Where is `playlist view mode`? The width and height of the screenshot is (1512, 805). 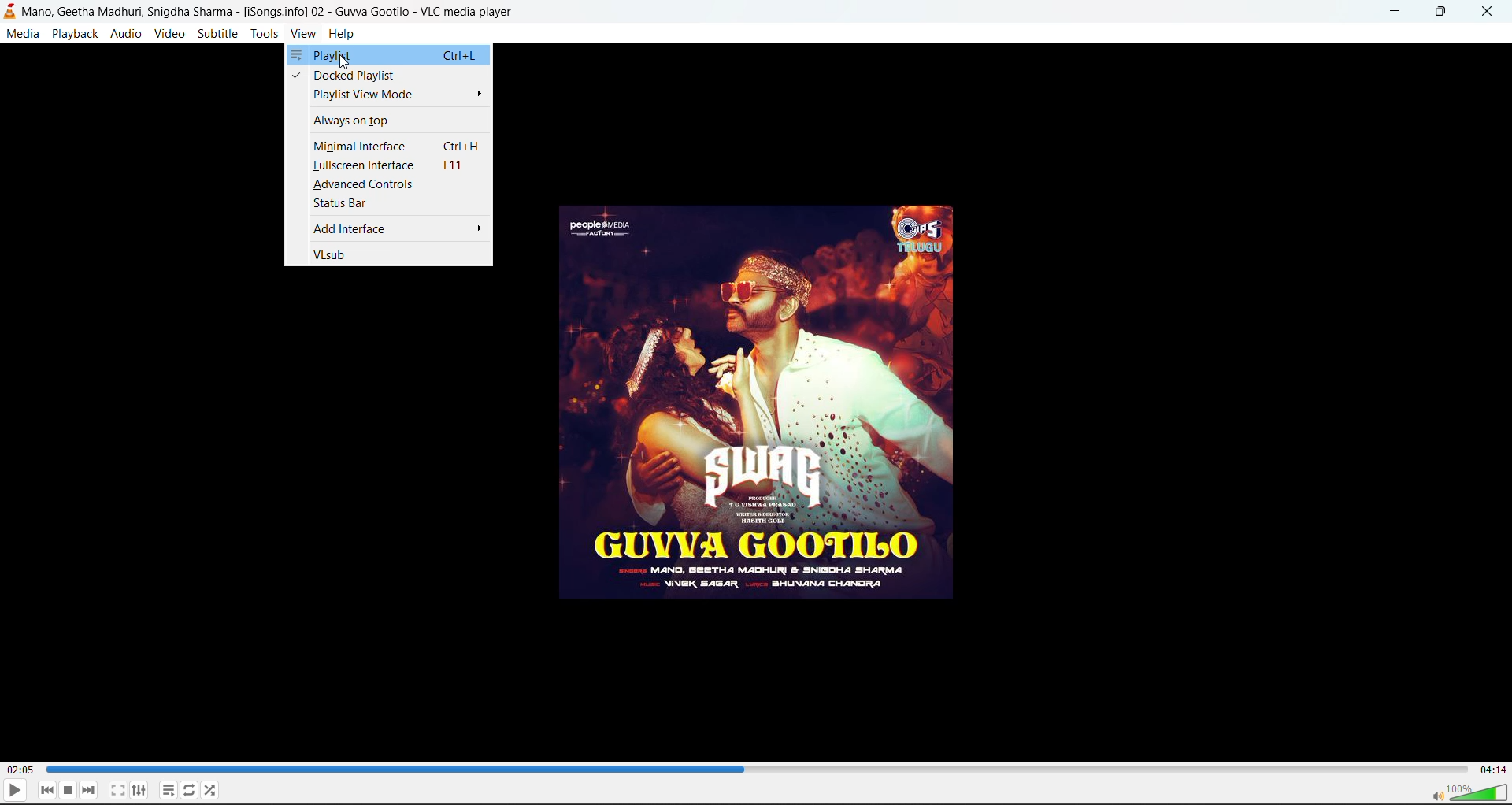
playlist view mode is located at coordinates (390, 95).